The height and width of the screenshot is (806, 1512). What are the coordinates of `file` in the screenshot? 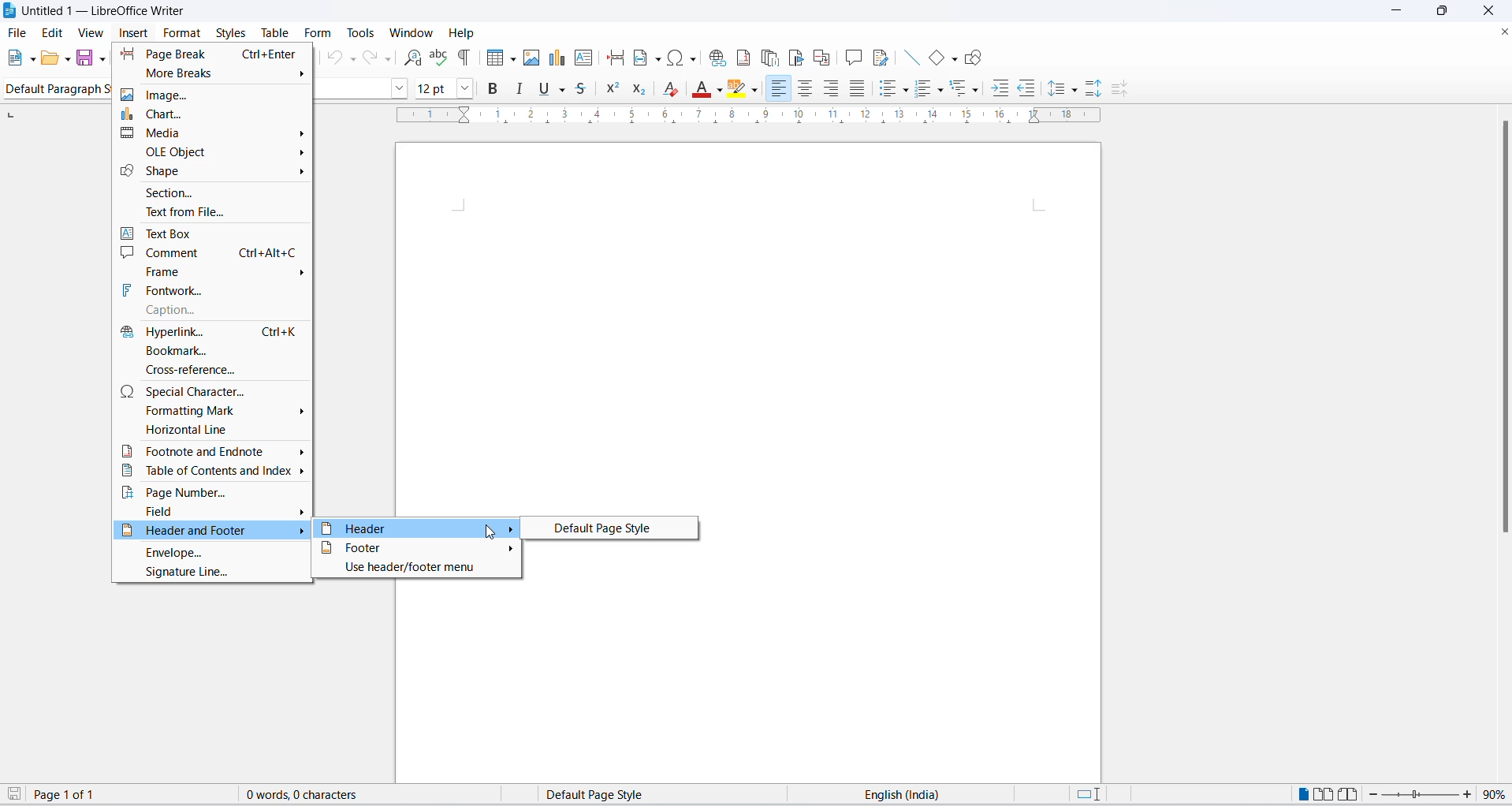 It's located at (18, 32).